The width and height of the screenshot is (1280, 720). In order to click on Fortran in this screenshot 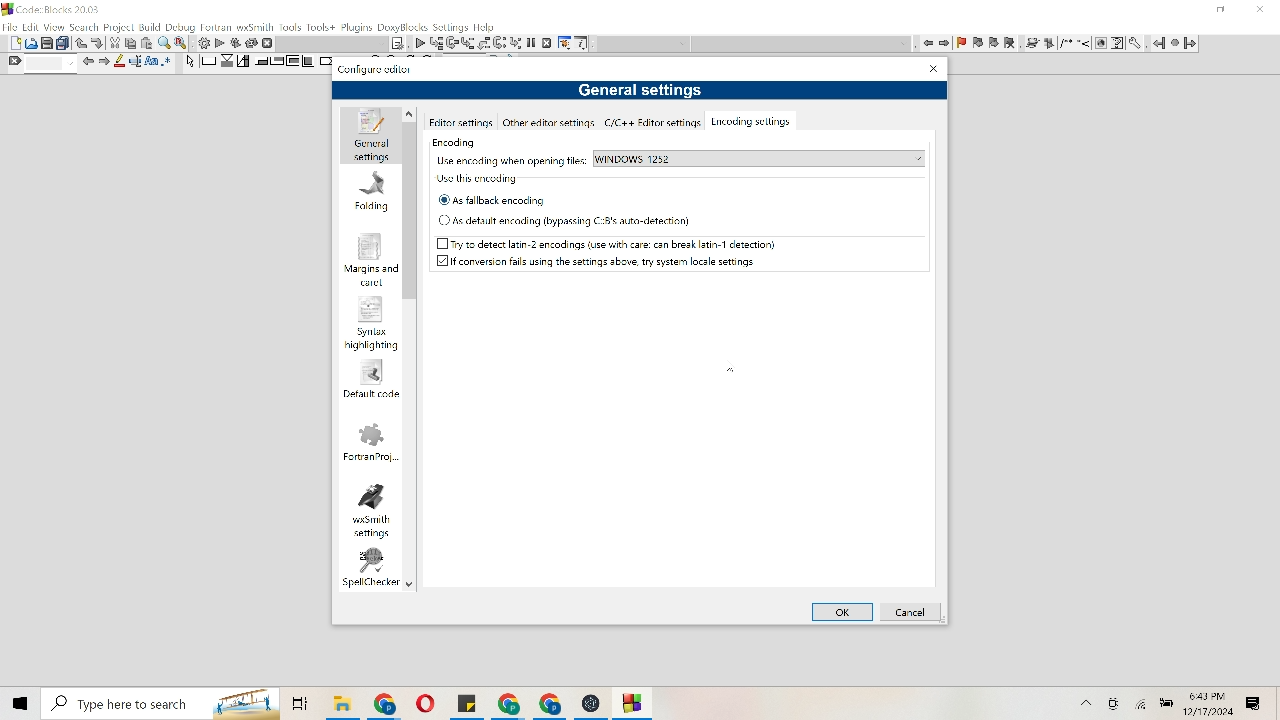, I will do `click(217, 28)`.